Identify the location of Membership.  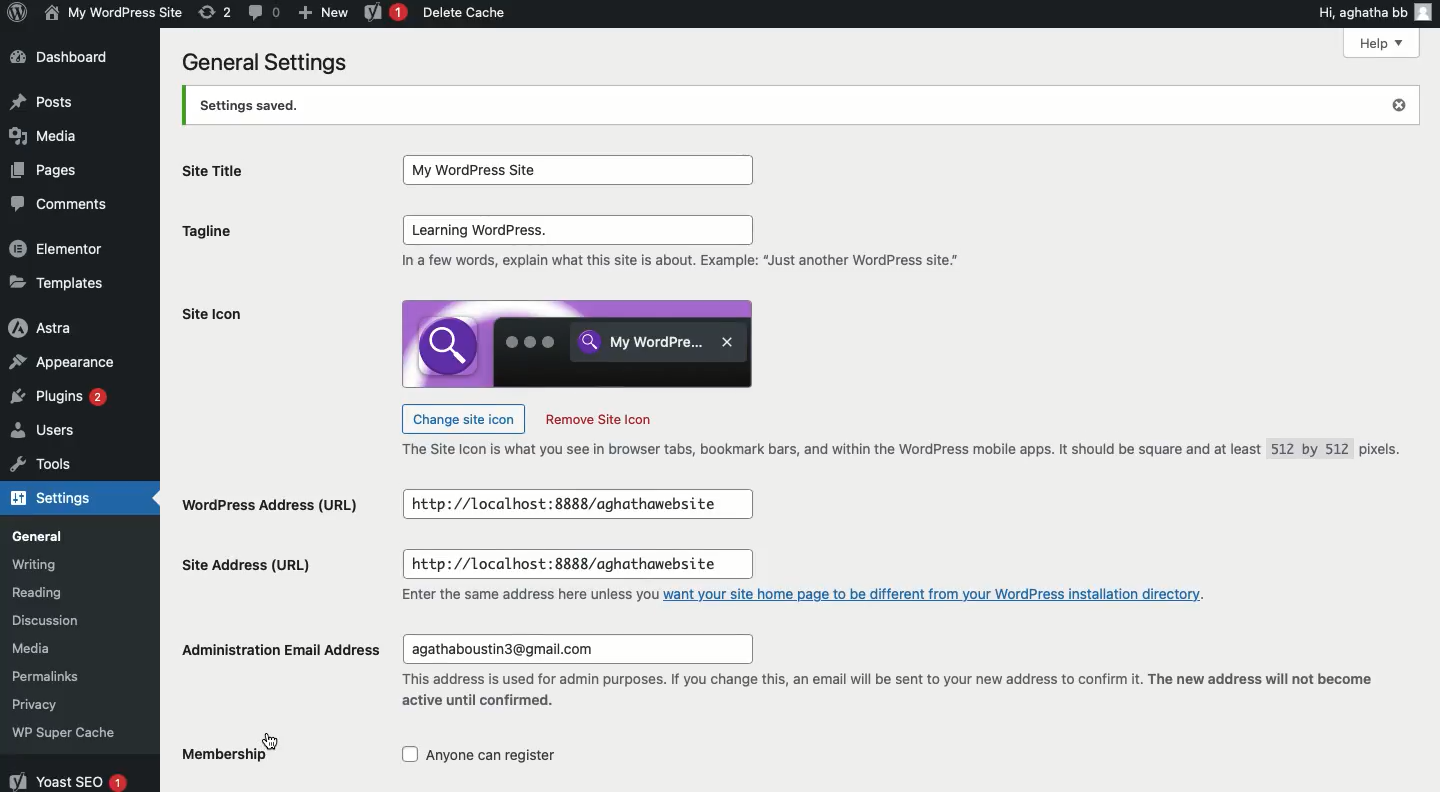
(218, 761).